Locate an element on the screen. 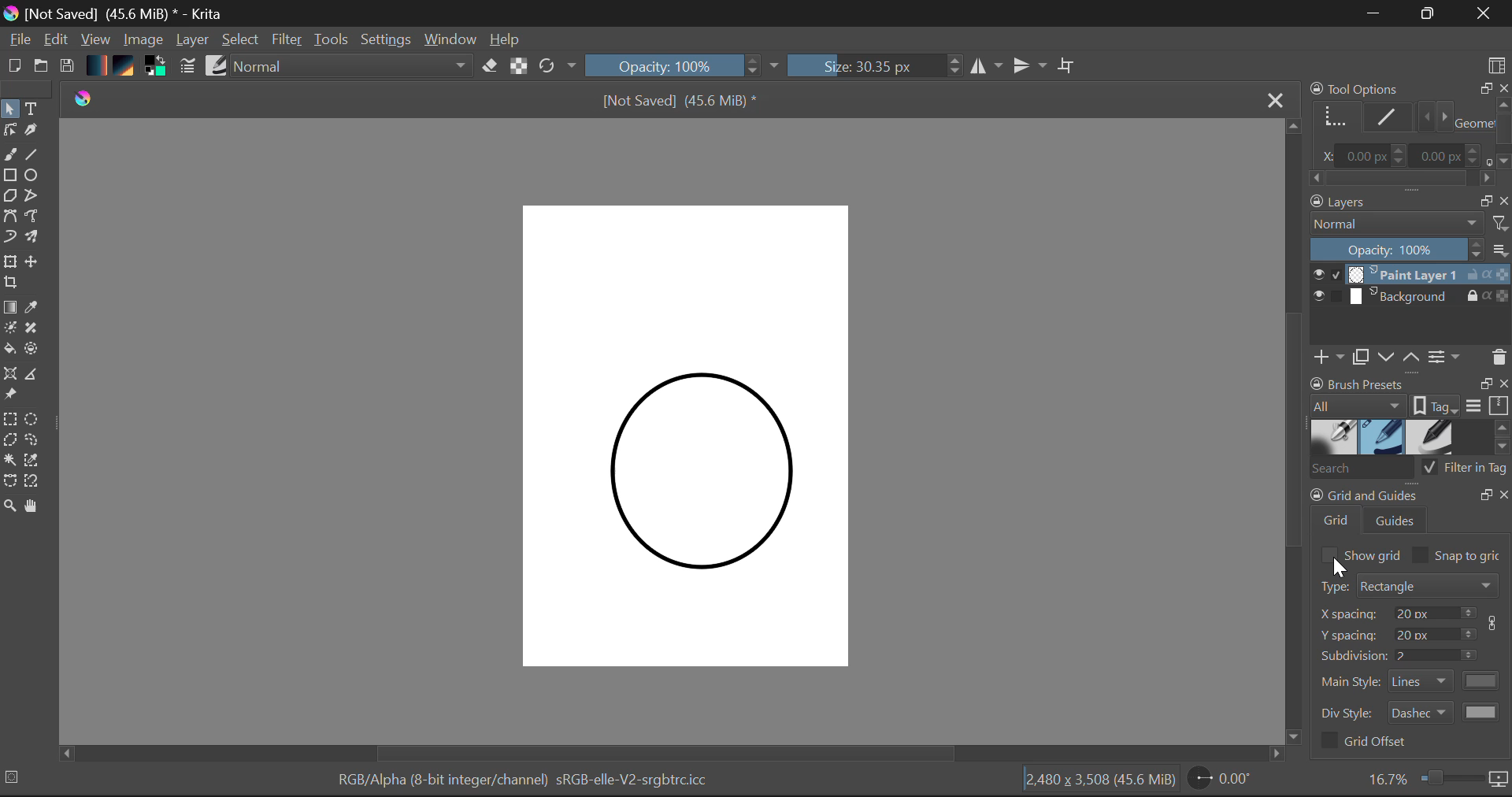 The height and width of the screenshot is (797, 1512). Freehand is located at coordinates (9, 155).